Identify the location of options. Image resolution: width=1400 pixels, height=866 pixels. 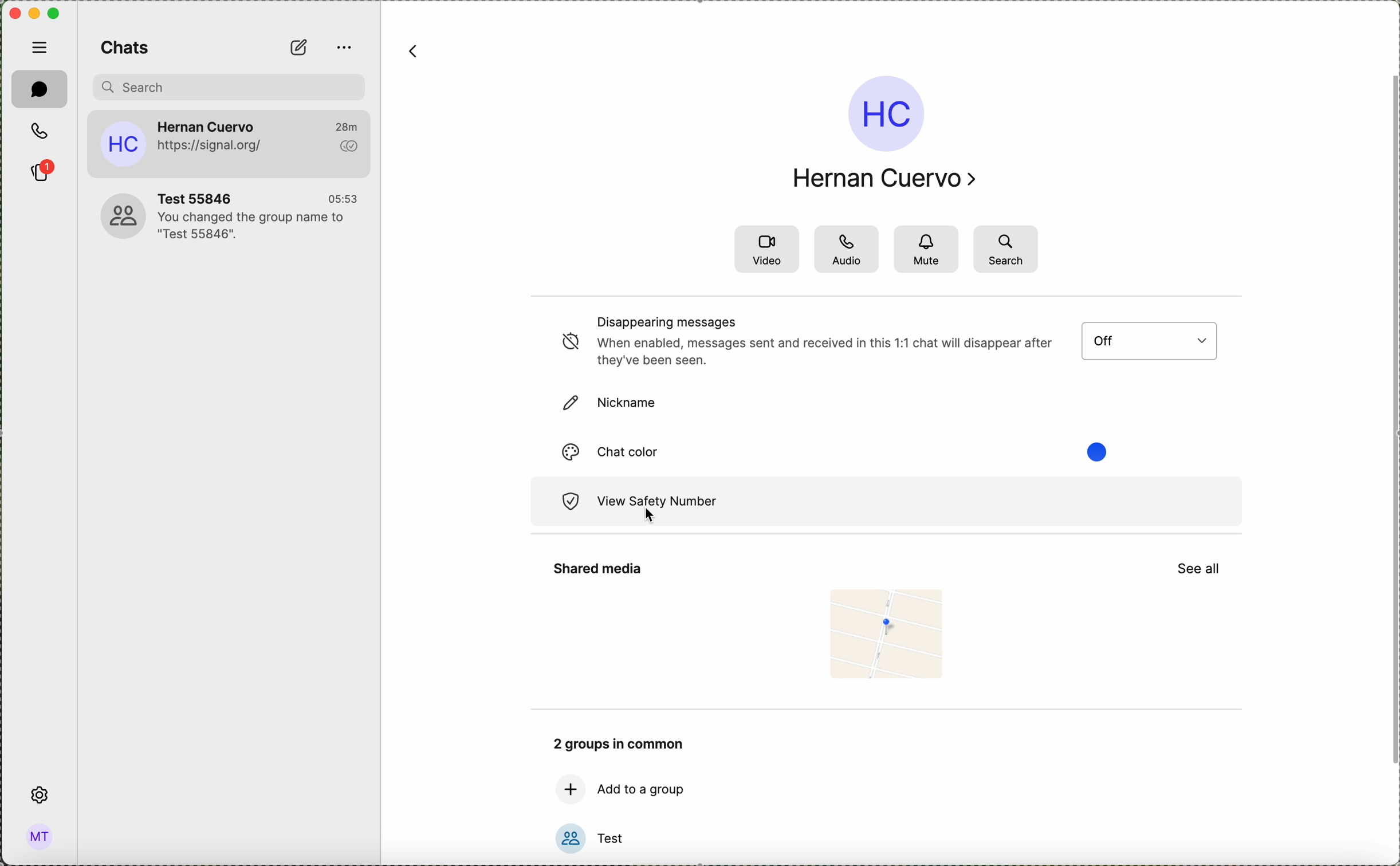
(342, 49).